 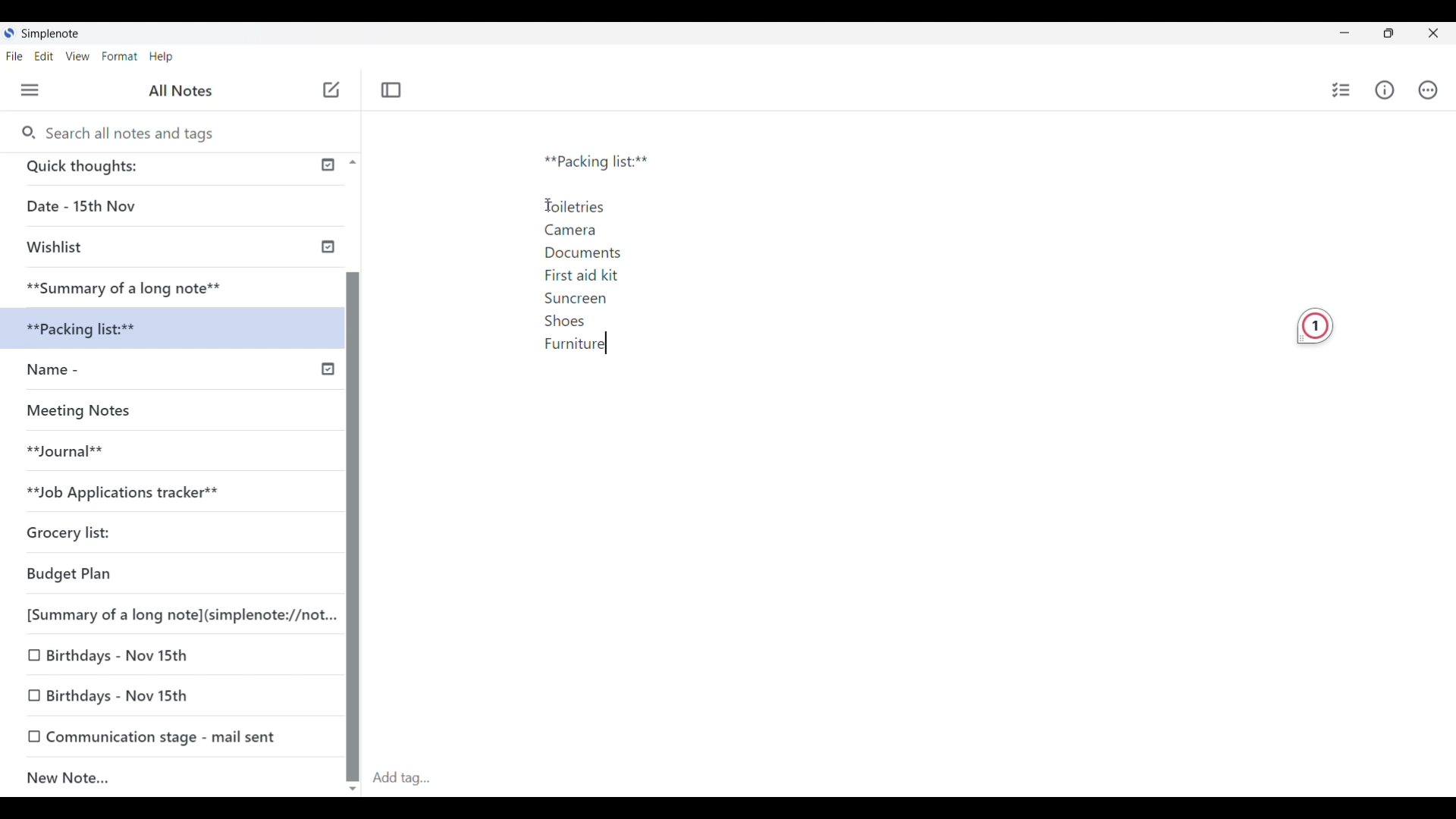 What do you see at coordinates (78, 56) in the screenshot?
I see `View menu` at bounding box center [78, 56].